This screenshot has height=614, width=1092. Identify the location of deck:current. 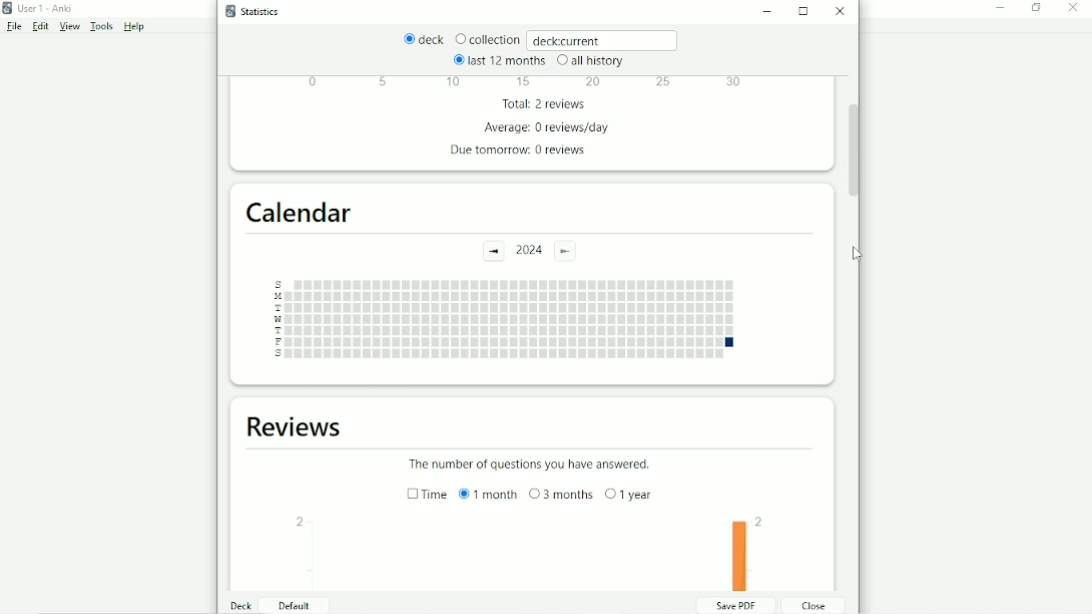
(604, 39).